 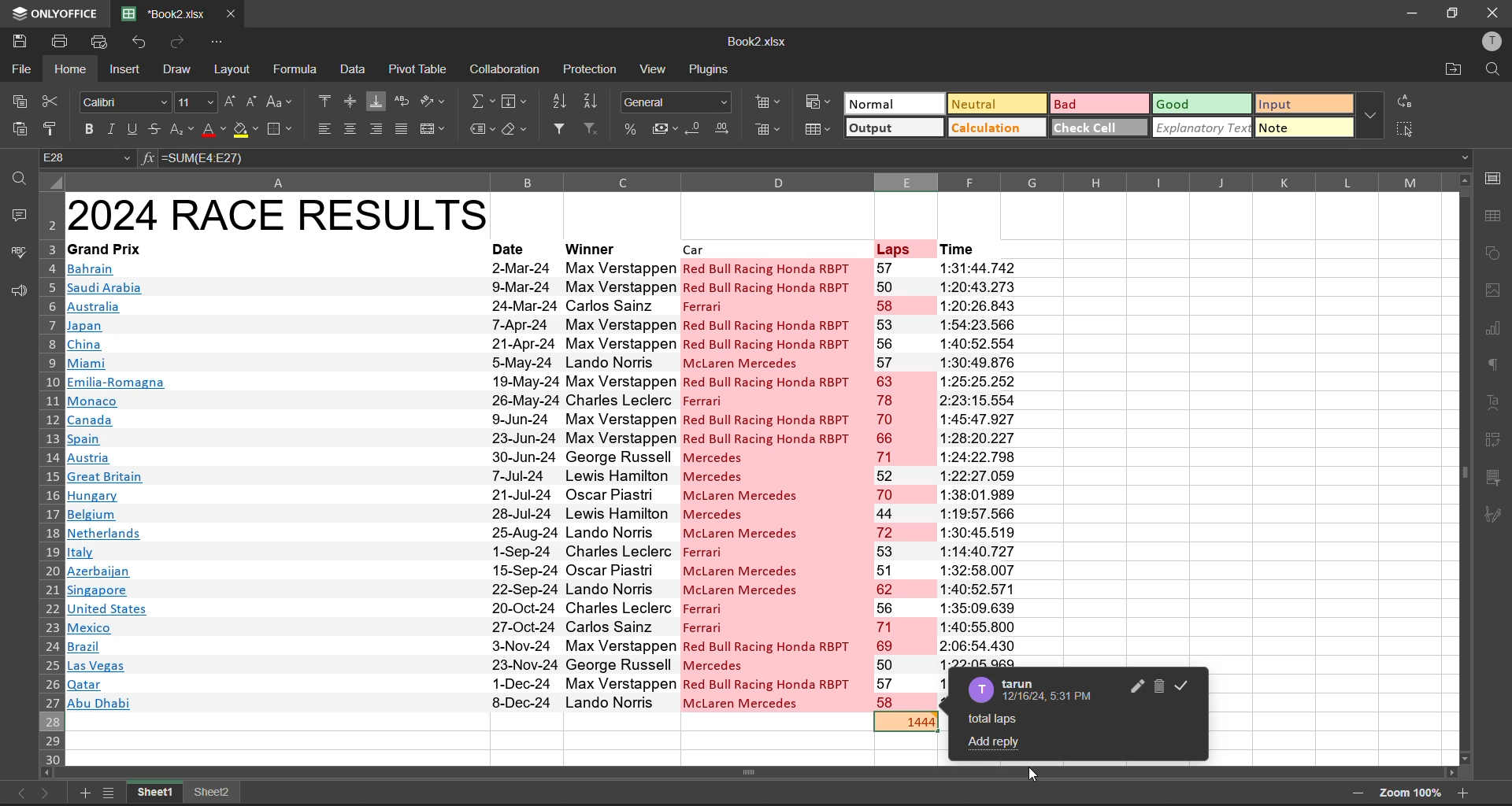 What do you see at coordinates (481, 127) in the screenshot?
I see `named ranges` at bounding box center [481, 127].